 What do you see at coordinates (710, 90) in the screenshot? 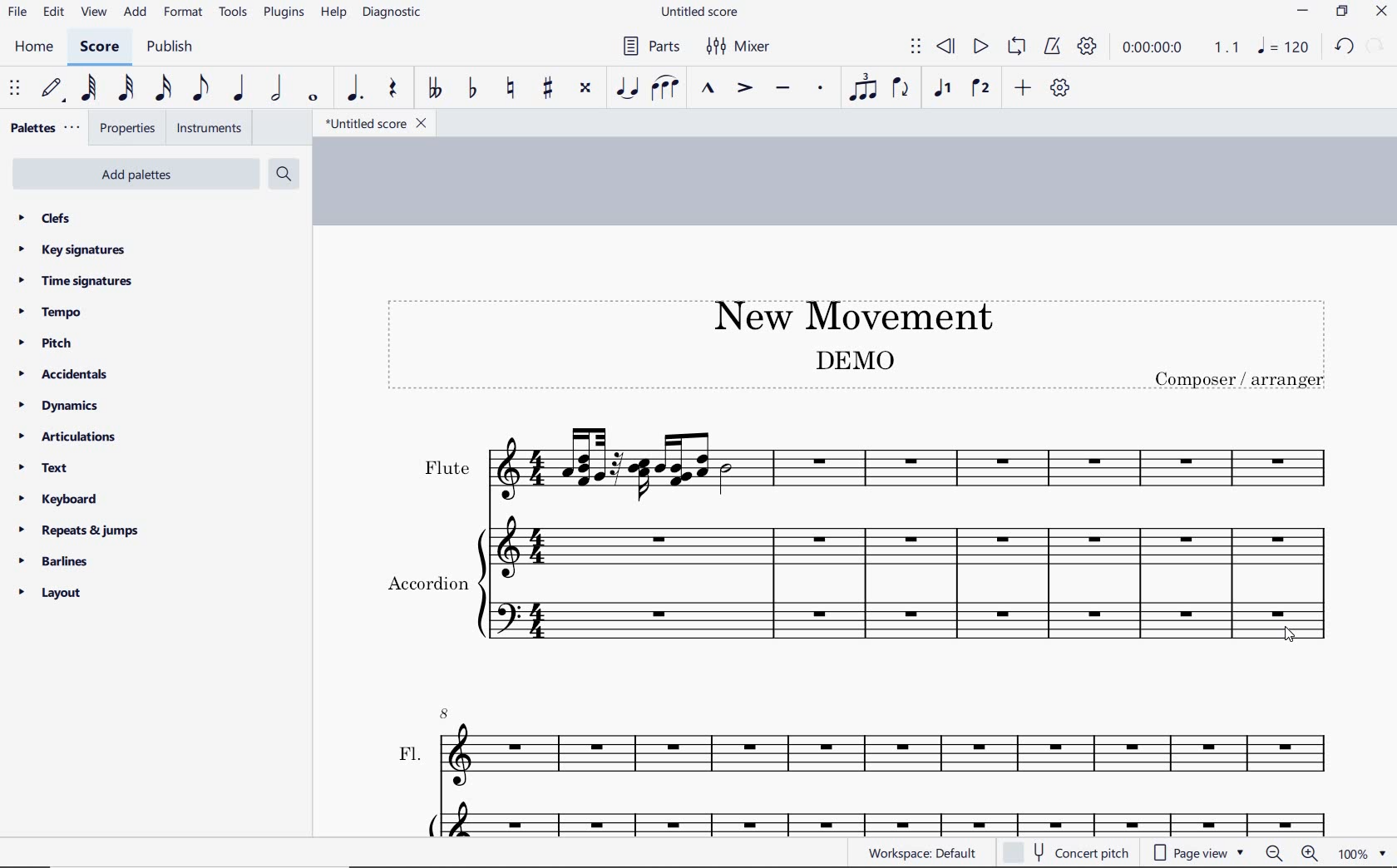
I see `marcato` at bounding box center [710, 90].